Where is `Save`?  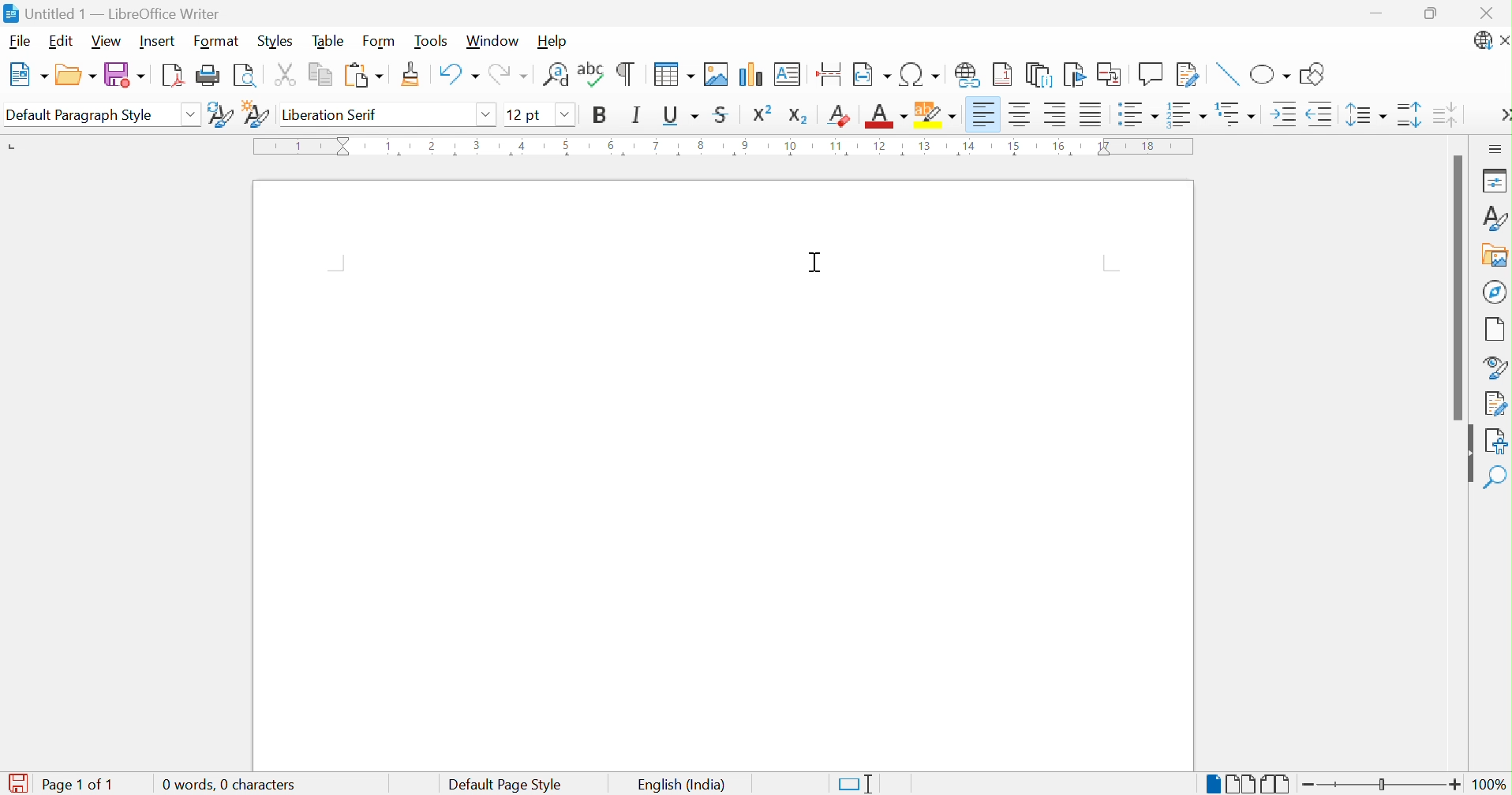 Save is located at coordinates (127, 75).